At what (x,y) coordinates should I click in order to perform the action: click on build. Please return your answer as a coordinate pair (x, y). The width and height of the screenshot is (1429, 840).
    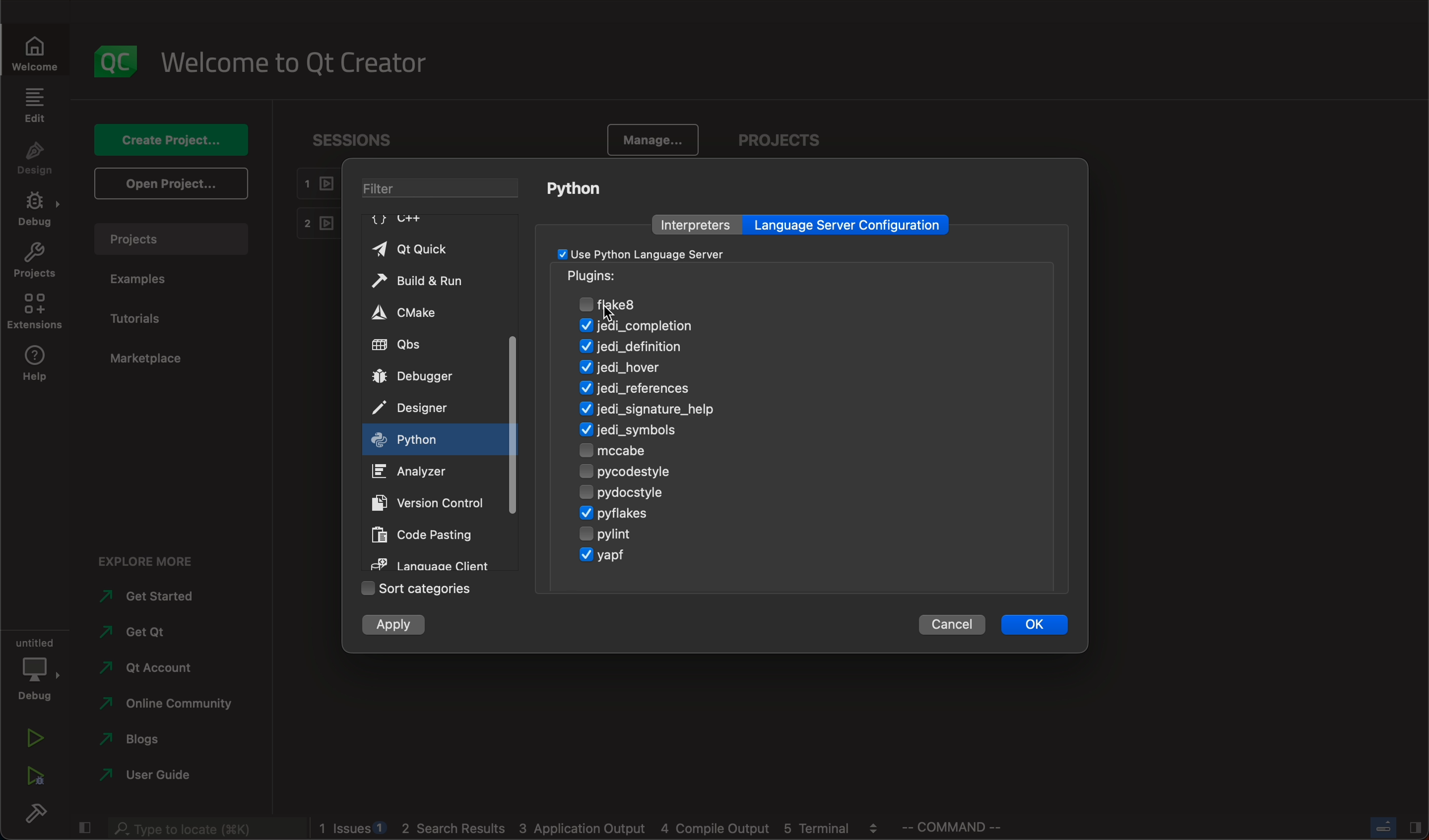
    Looking at the image, I should click on (34, 813).